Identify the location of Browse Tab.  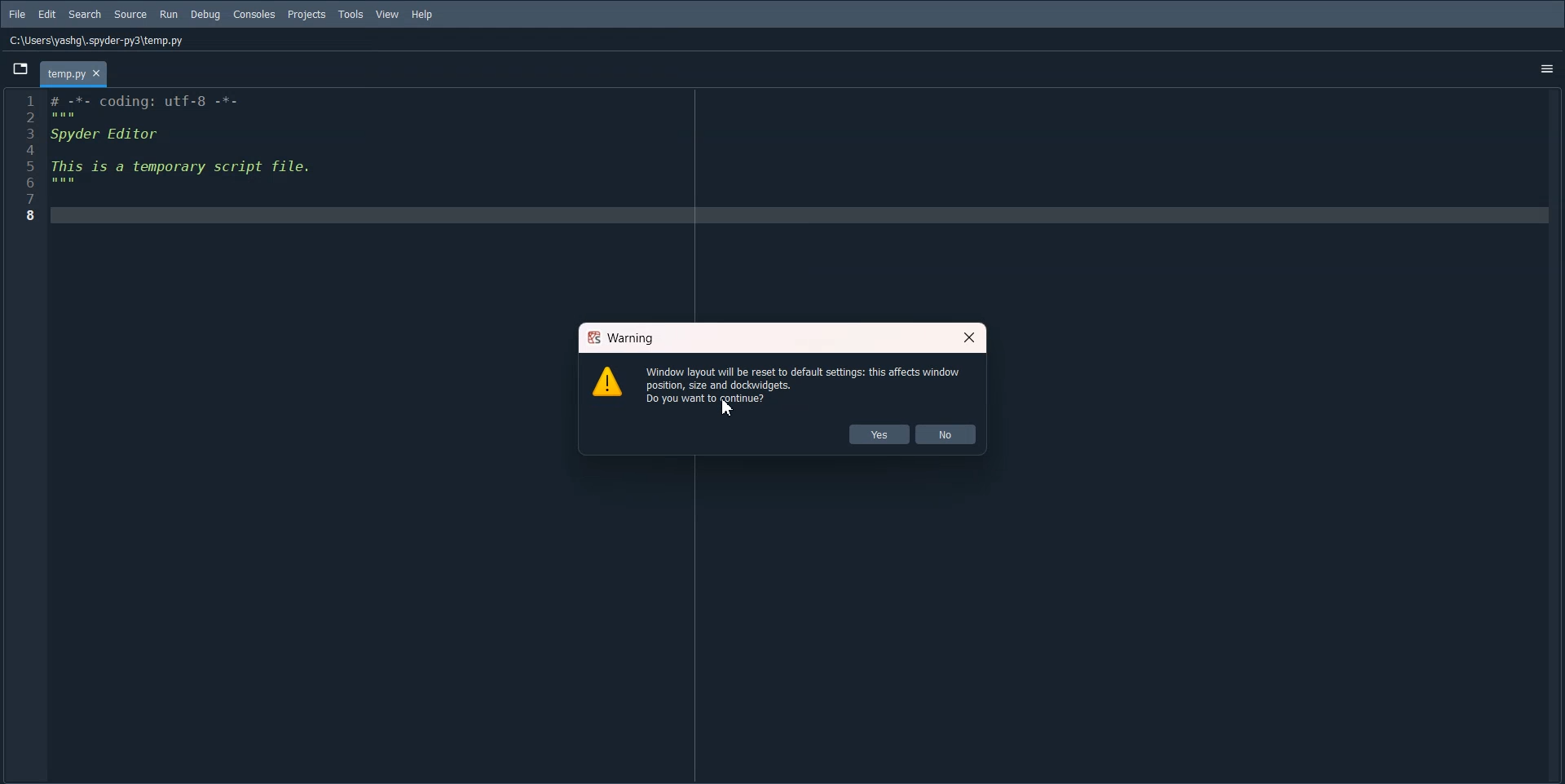
(20, 68).